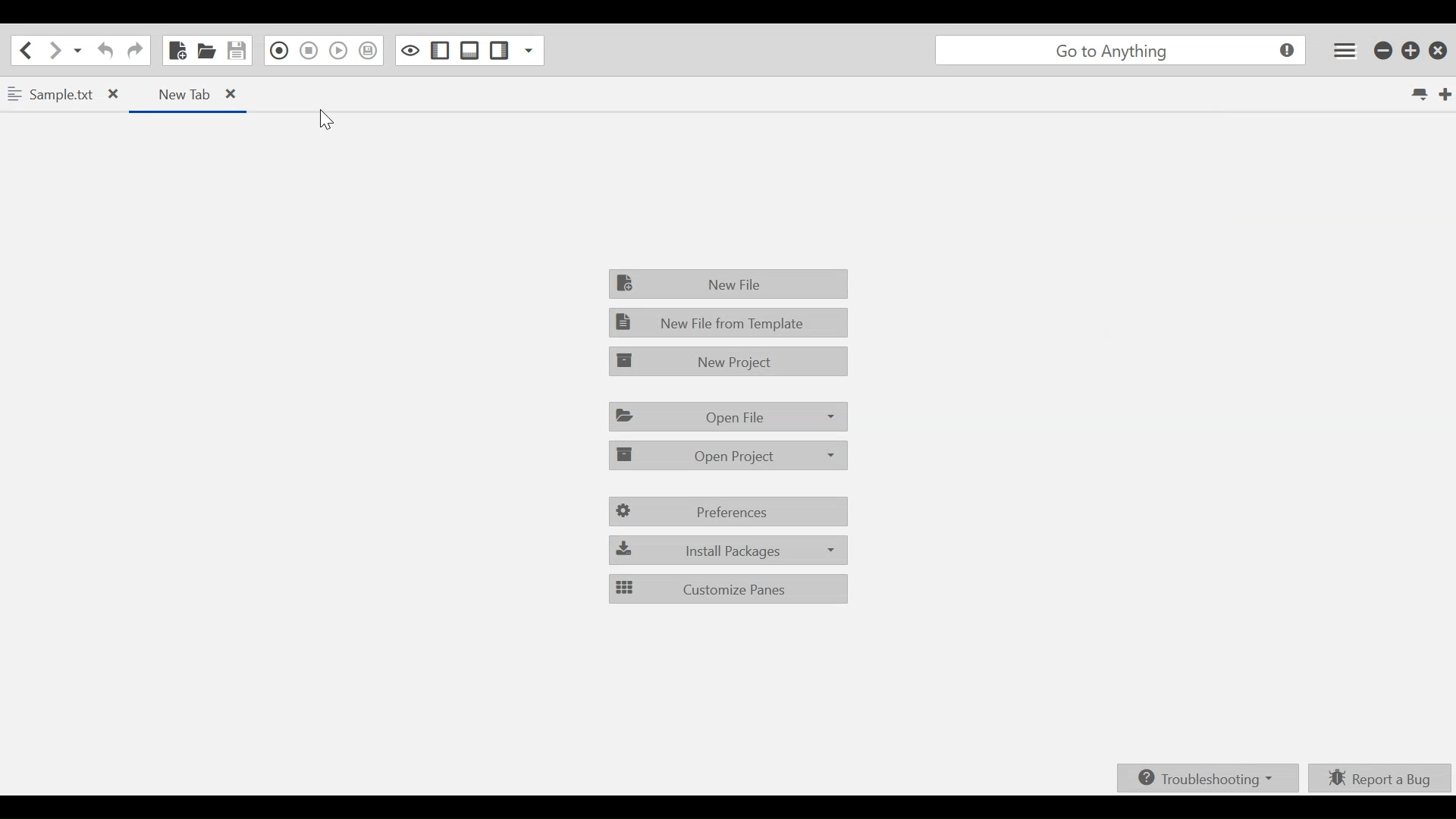 Image resolution: width=1456 pixels, height=819 pixels. Describe the element at coordinates (1412, 50) in the screenshot. I see `Restore` at that location.